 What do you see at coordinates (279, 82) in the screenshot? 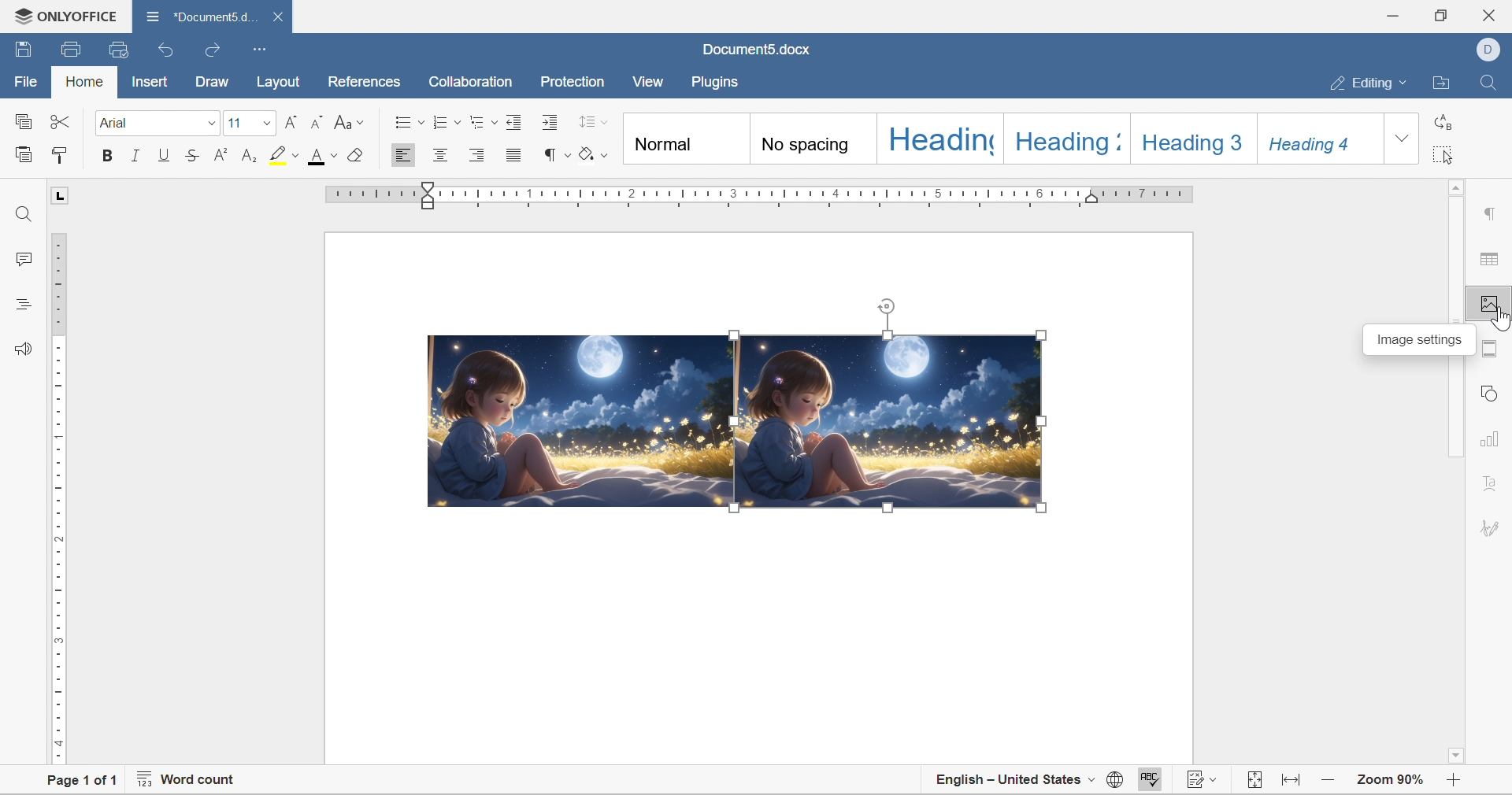
I see `layout` at bounding box center [279, 82].